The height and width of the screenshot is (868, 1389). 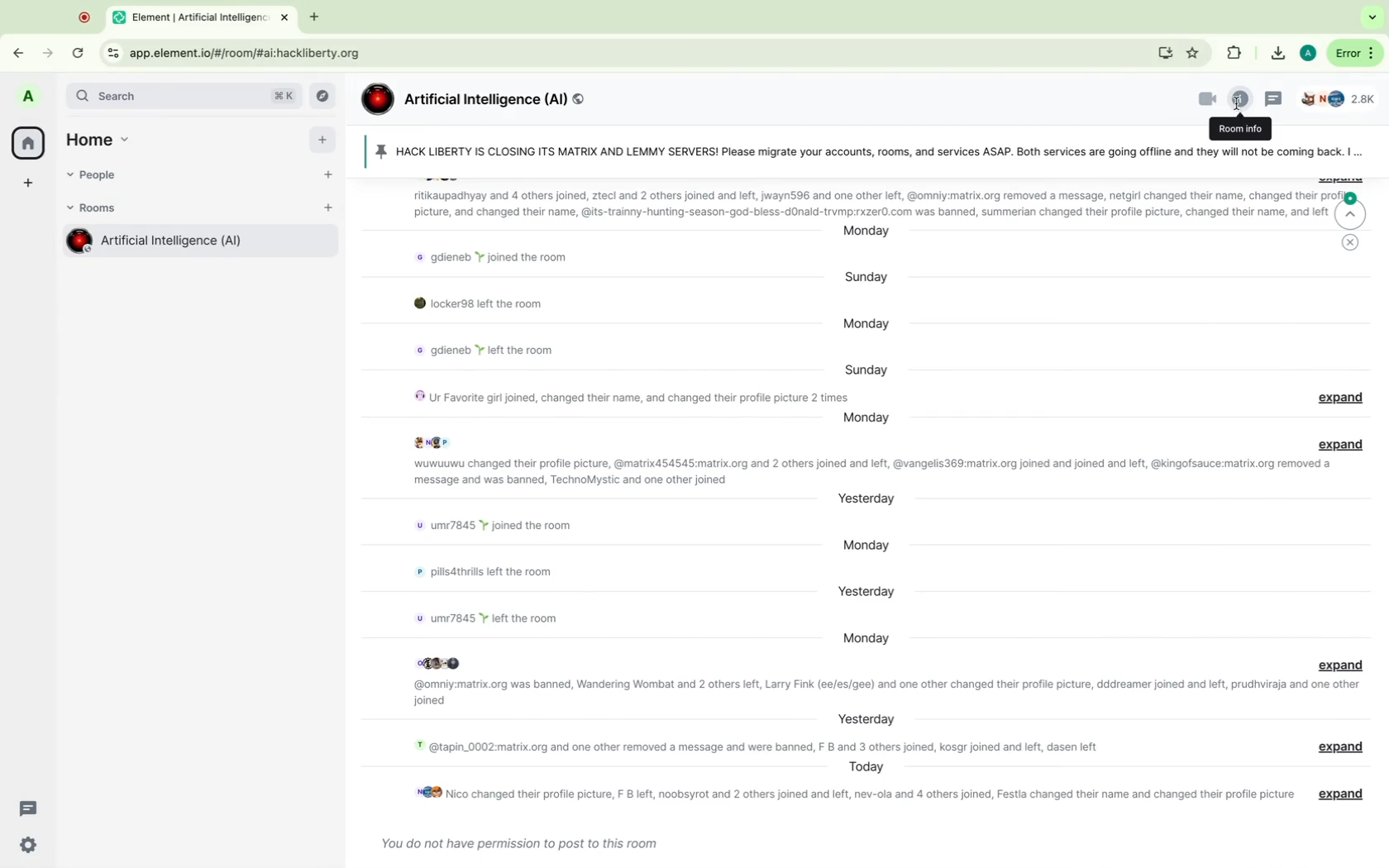 I want to click on message, so click(x=499, y=574).